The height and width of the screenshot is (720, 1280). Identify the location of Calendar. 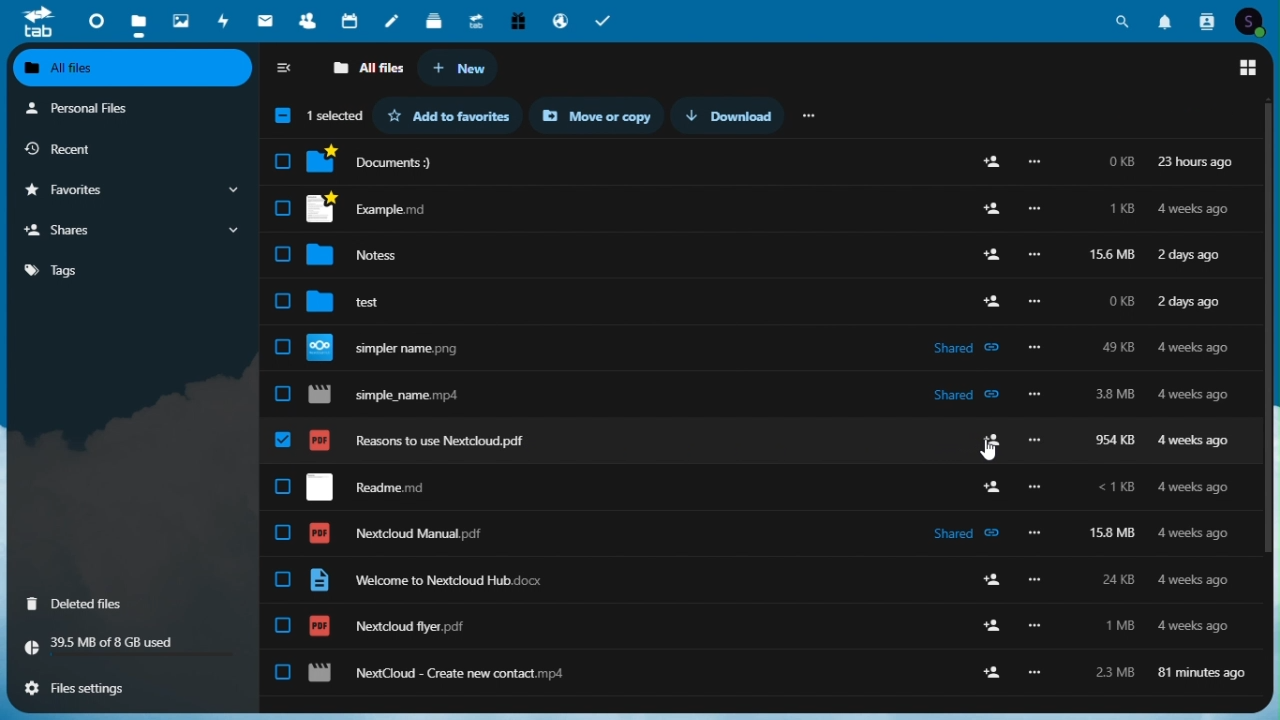
(350, 22).